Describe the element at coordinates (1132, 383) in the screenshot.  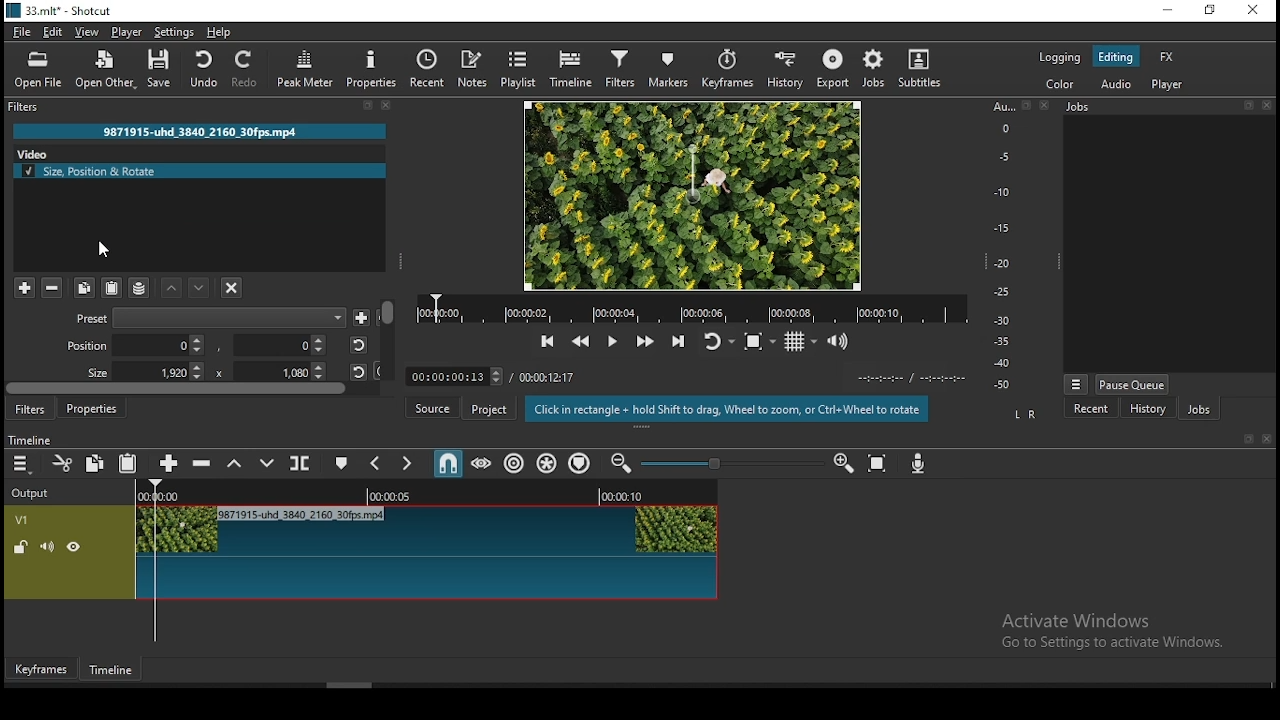
I see `pause queue` at that location.